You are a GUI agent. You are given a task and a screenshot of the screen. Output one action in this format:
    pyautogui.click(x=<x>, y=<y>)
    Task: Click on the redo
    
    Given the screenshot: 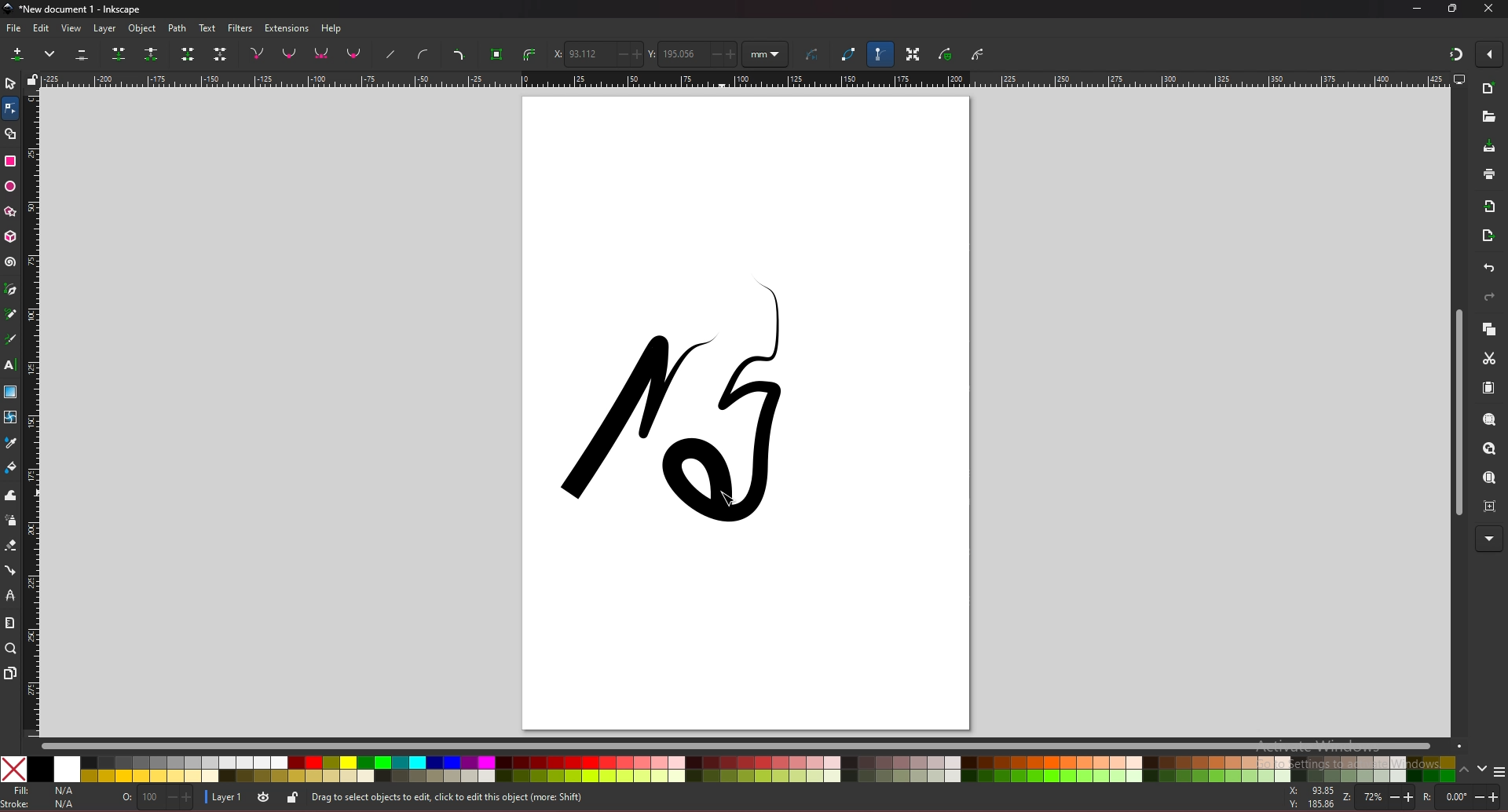 What is the action you would take?
    pyautogui.click(x=1489, y=297)
    